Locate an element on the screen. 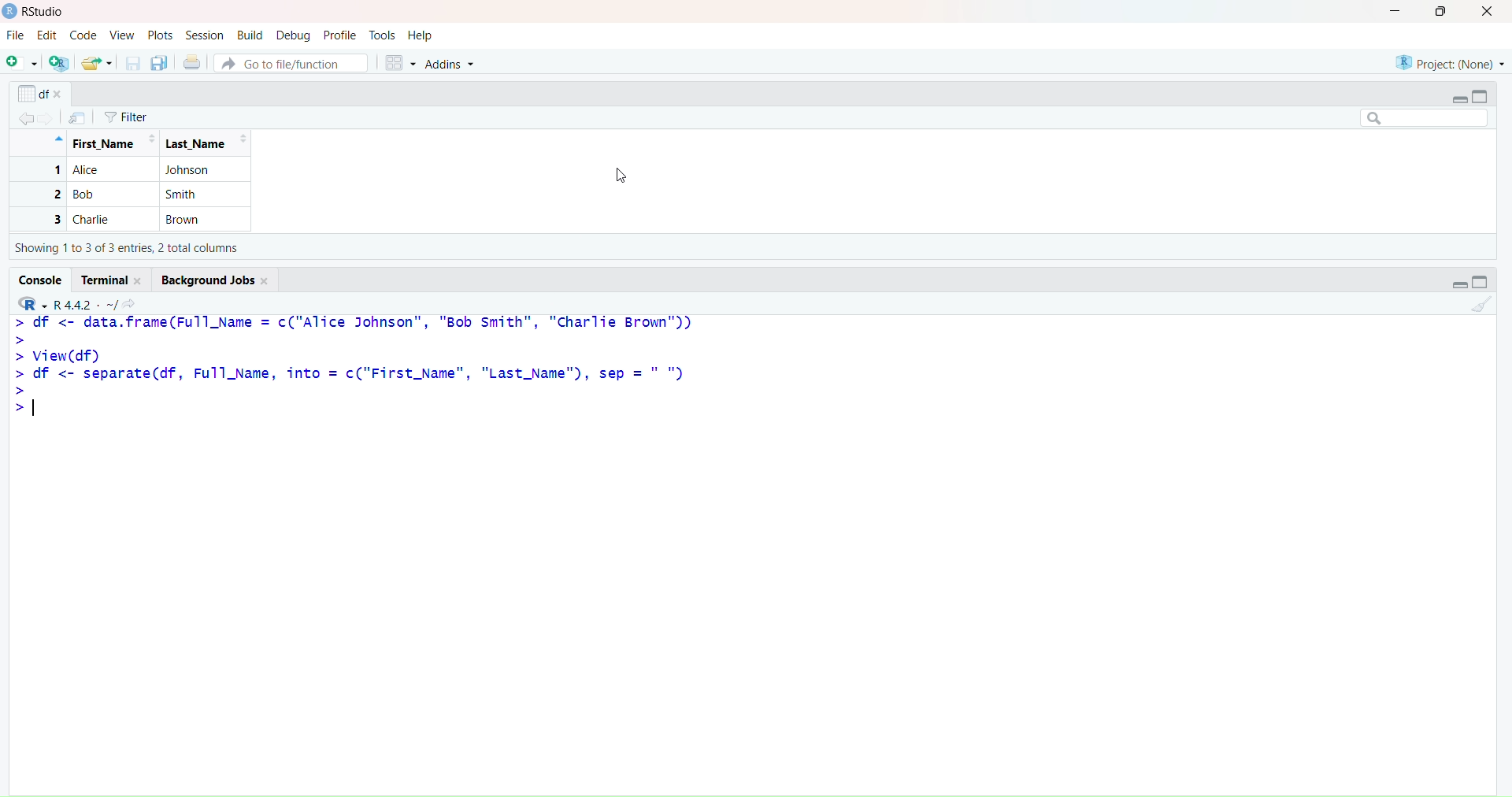  showing 1 to 3 of 3 entries, 1 total columns is located at coordinates (132, 250).